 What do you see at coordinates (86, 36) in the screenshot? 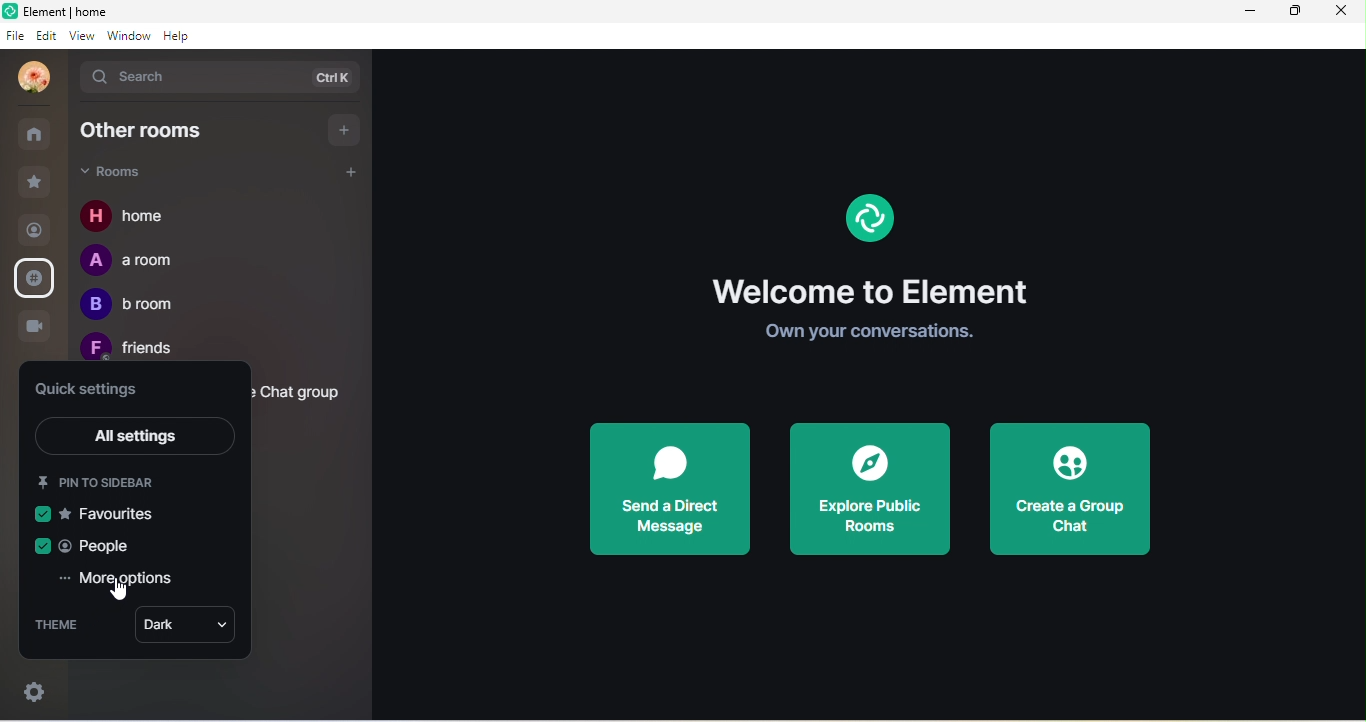
I see `view` at bounding box center [86, 36].